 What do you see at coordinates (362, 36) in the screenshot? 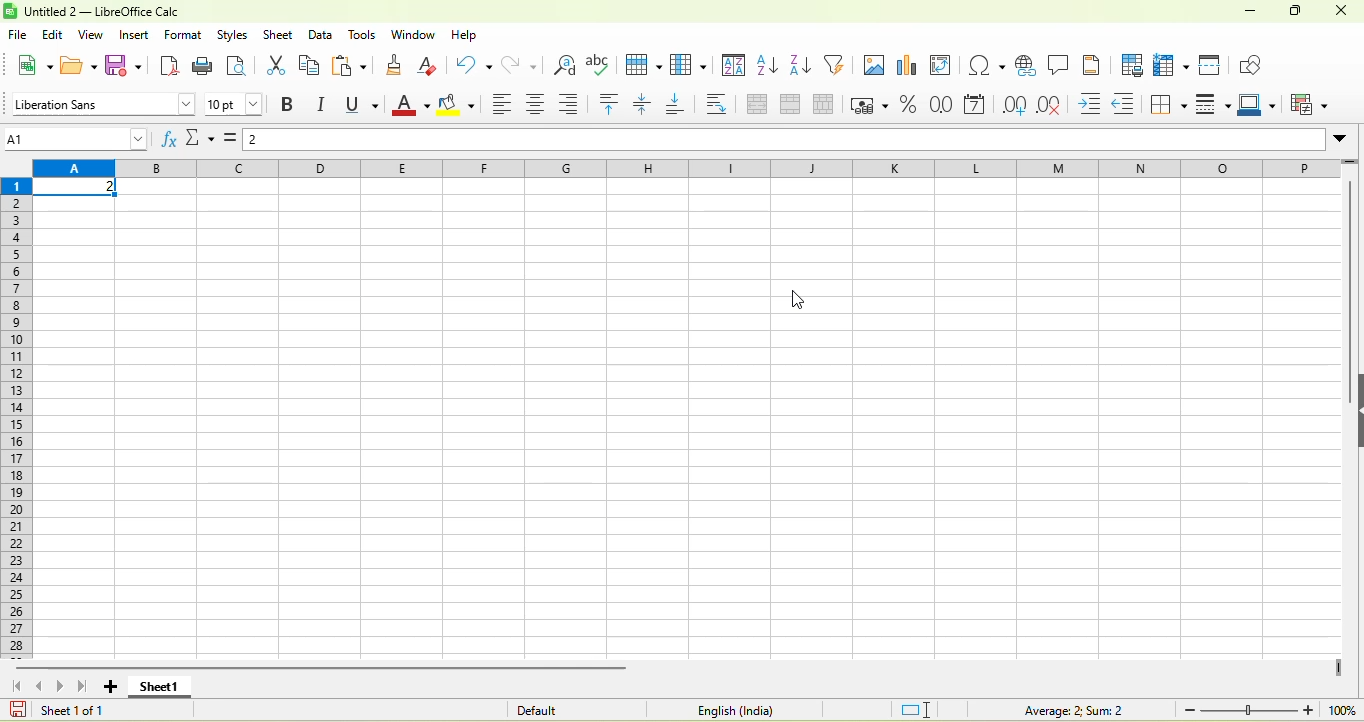
I see `tools` at bounding box center [362, 36].